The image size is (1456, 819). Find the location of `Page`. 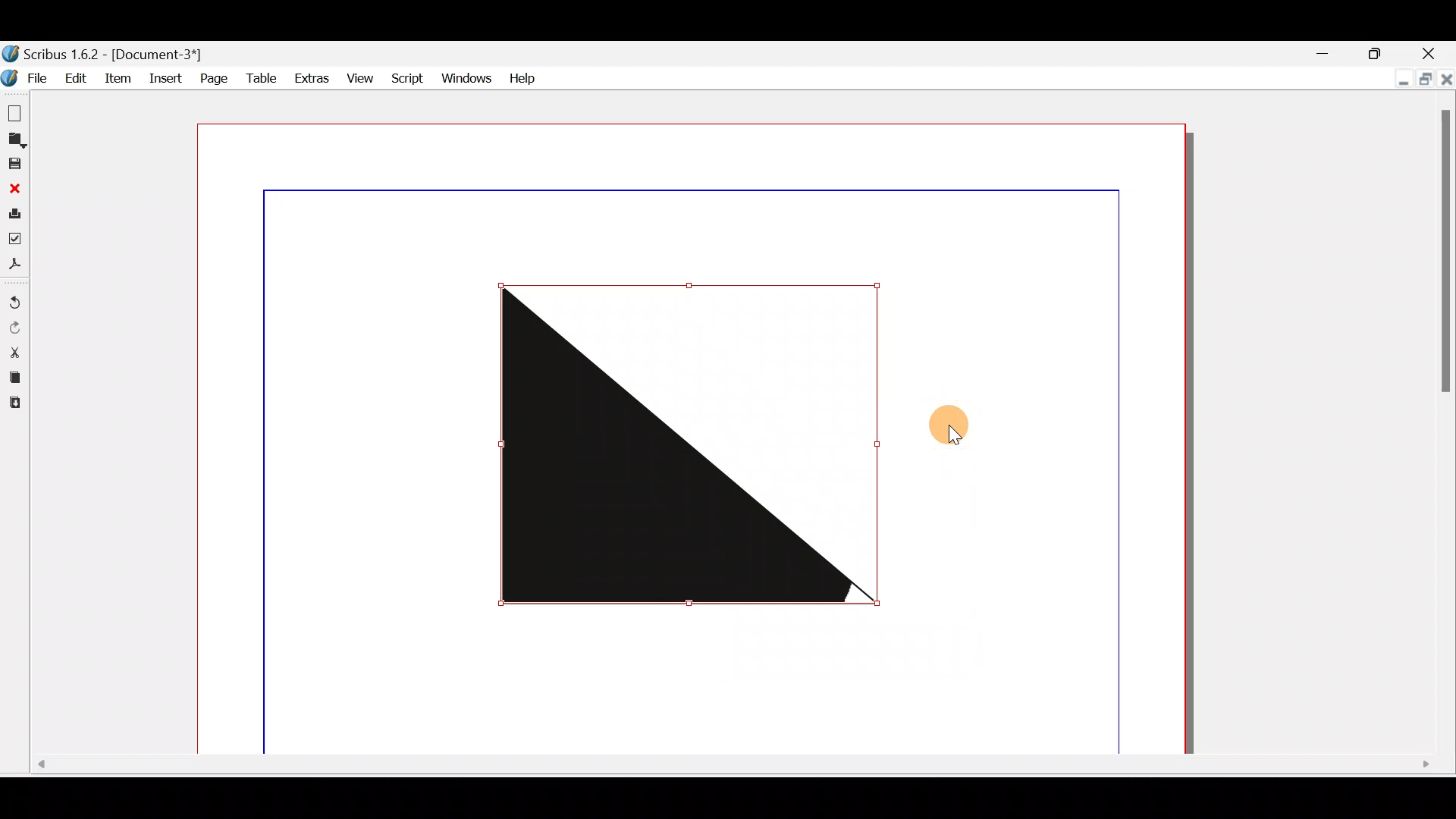

Page is located at coordinates (213, 79).